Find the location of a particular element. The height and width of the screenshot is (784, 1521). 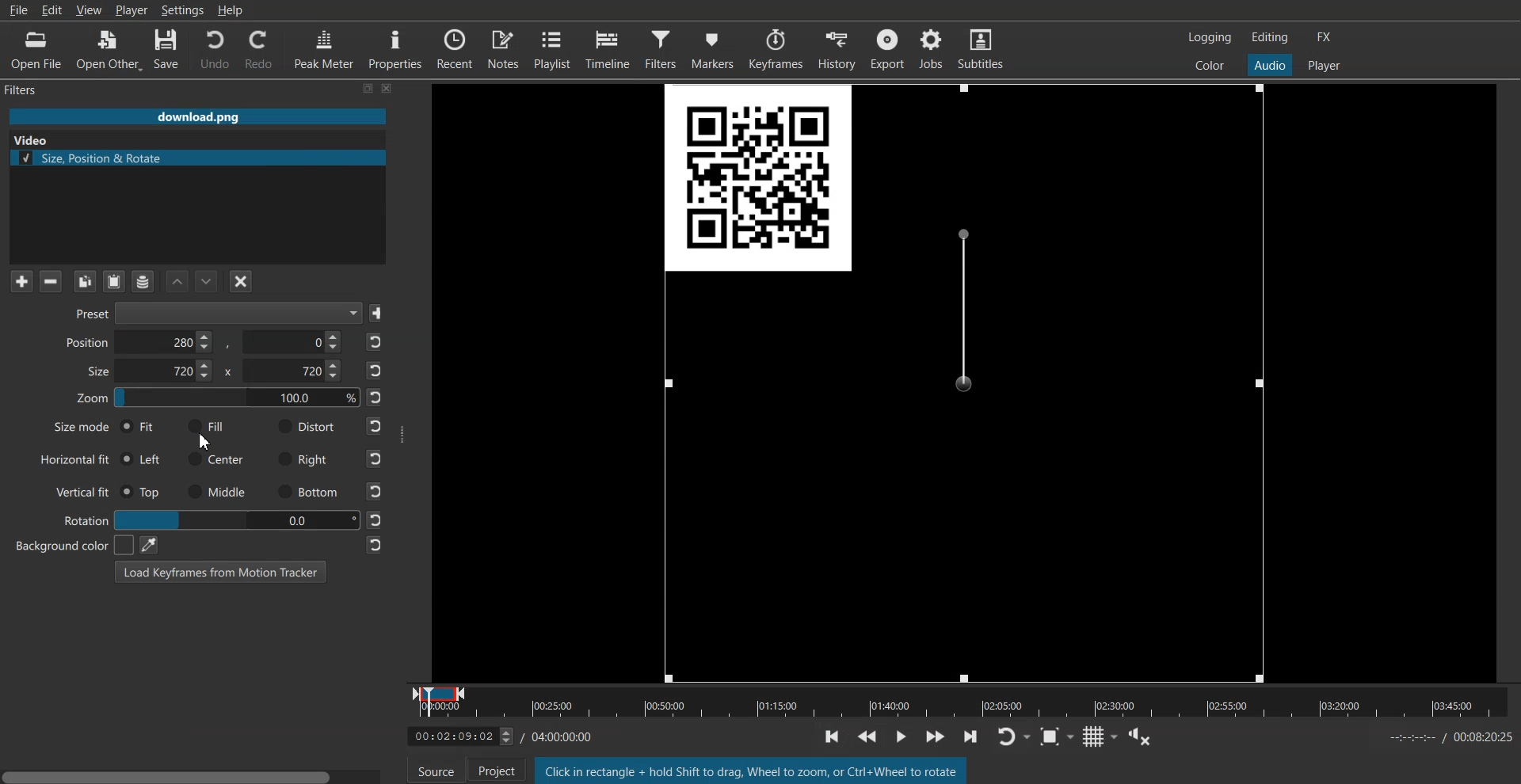

Peak Meter is located at coordinates (322, 50).